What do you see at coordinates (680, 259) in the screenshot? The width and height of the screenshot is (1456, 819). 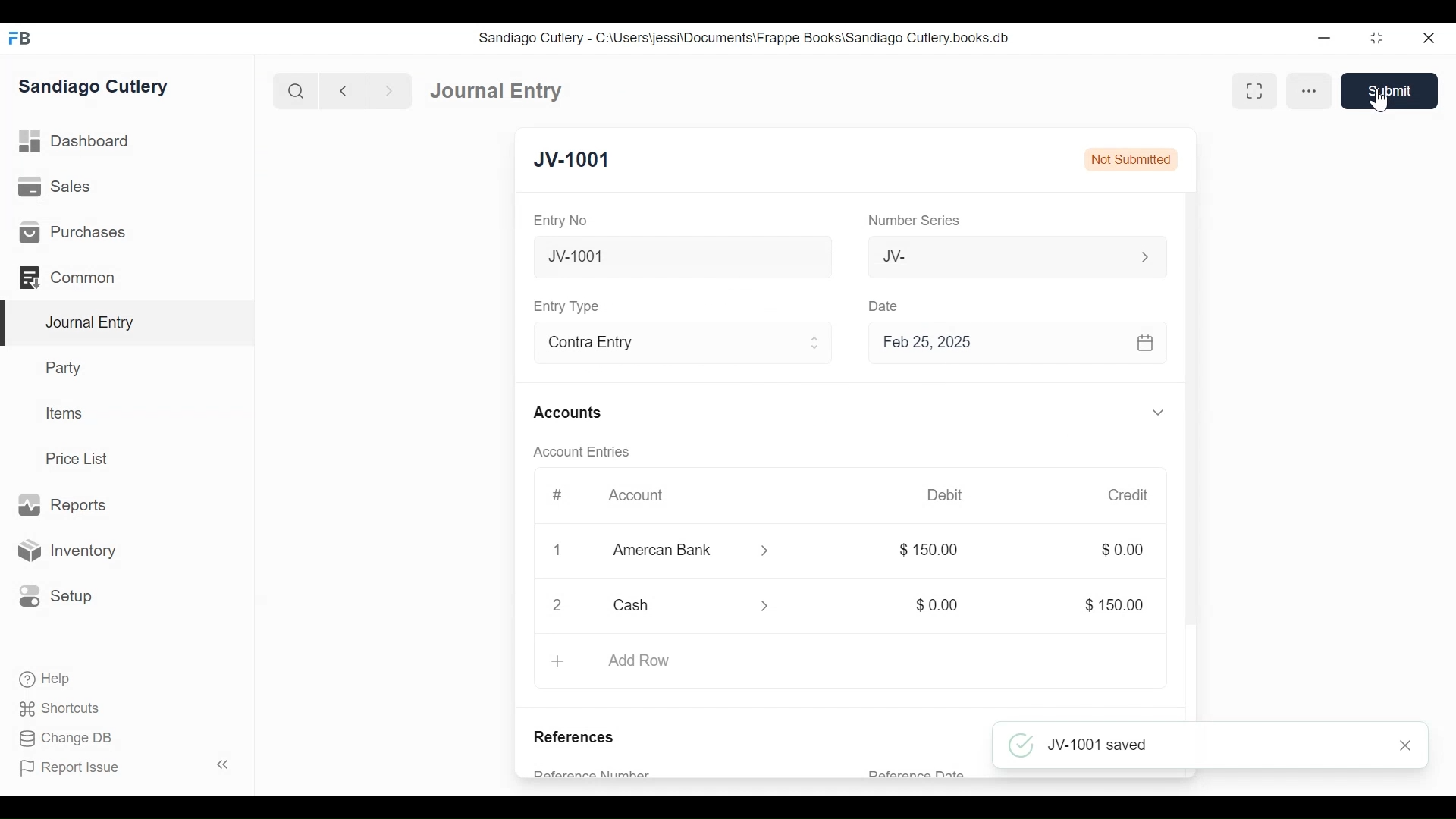 I see `New Journal Entry 06` at bounding box center [680, 259].